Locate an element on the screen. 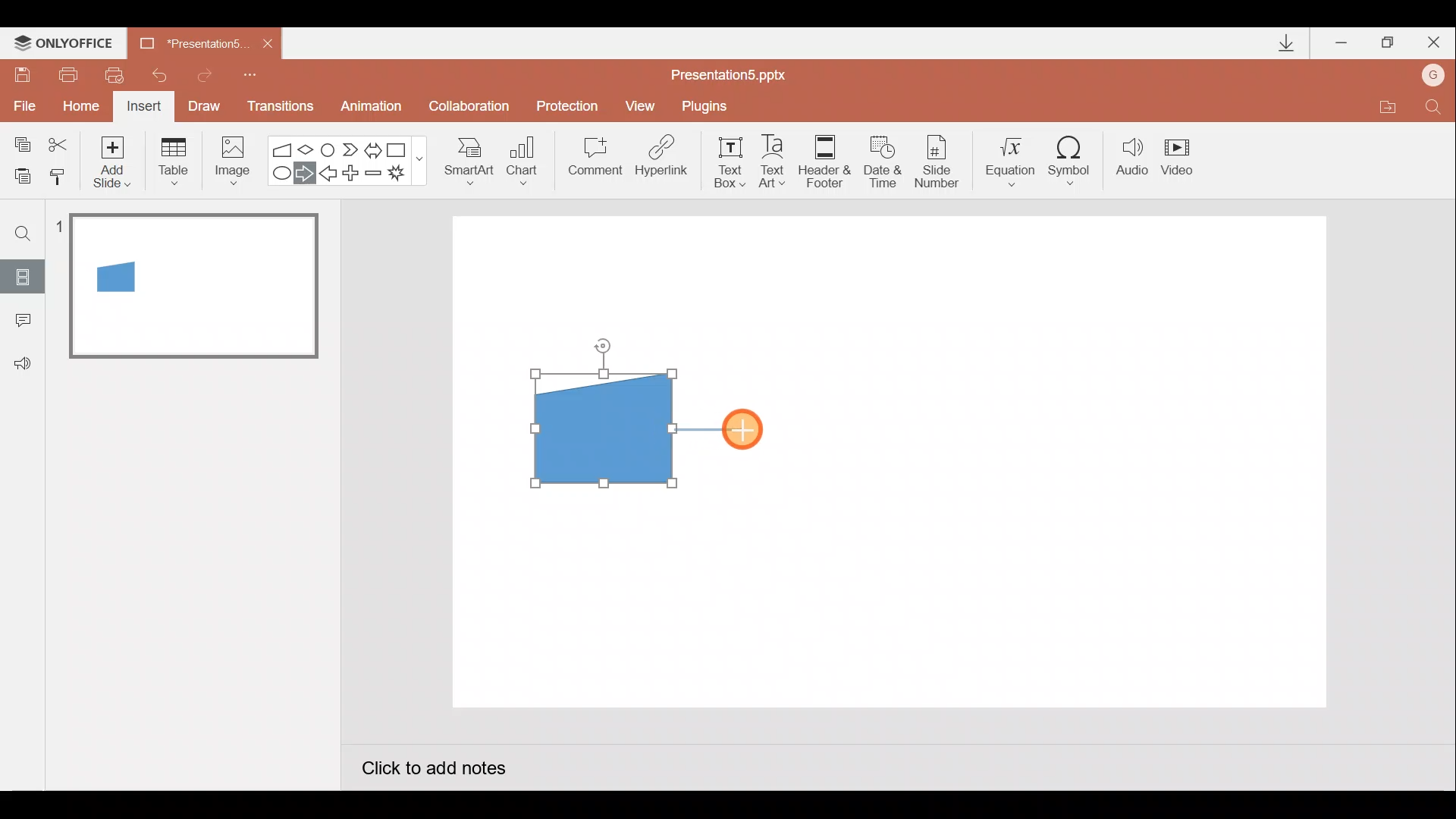  ONLYOFFICE is located at coordinates (67, 43).